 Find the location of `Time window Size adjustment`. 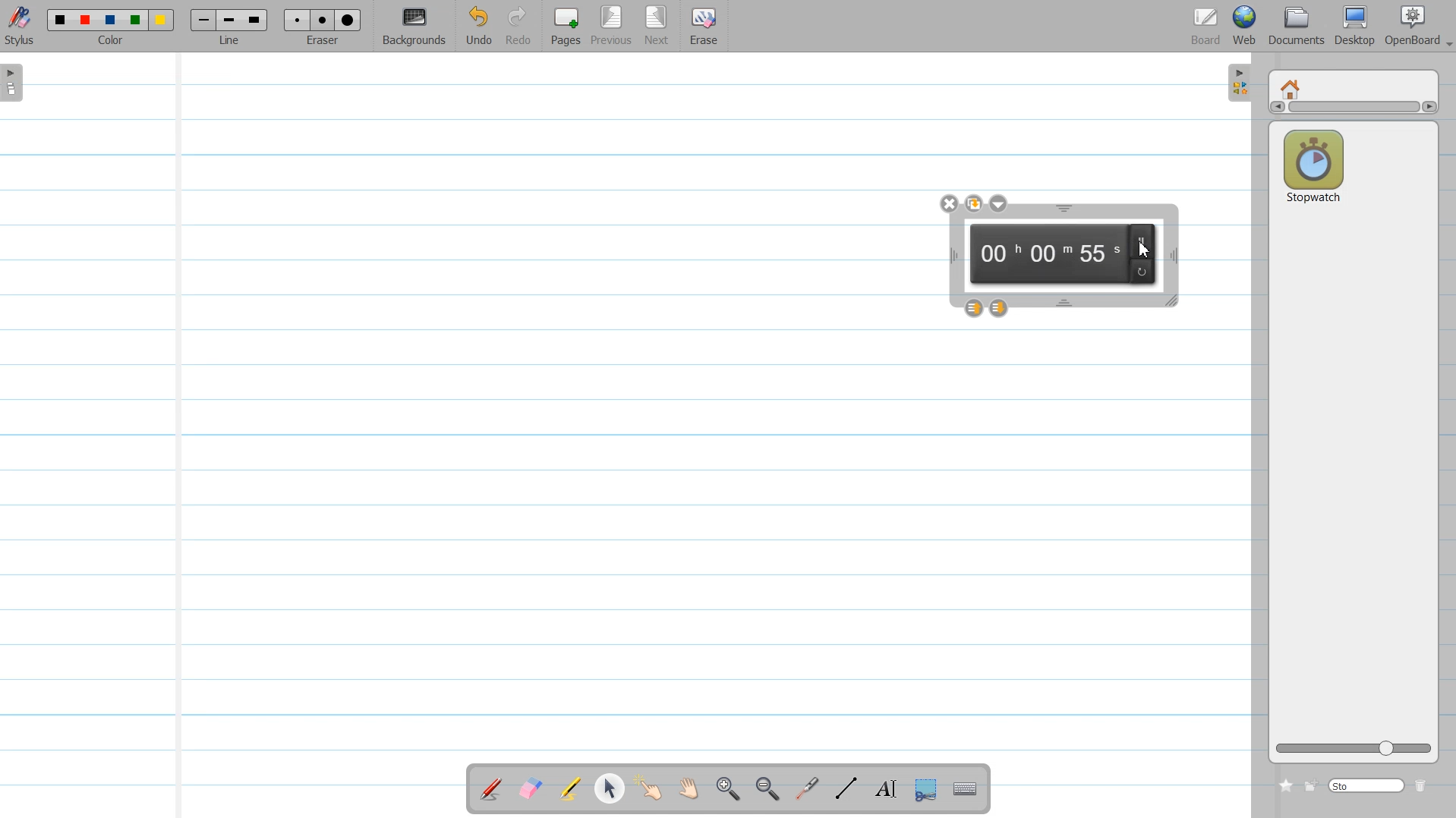

Time window Size adjustment is located at coordinates (1173, 302).